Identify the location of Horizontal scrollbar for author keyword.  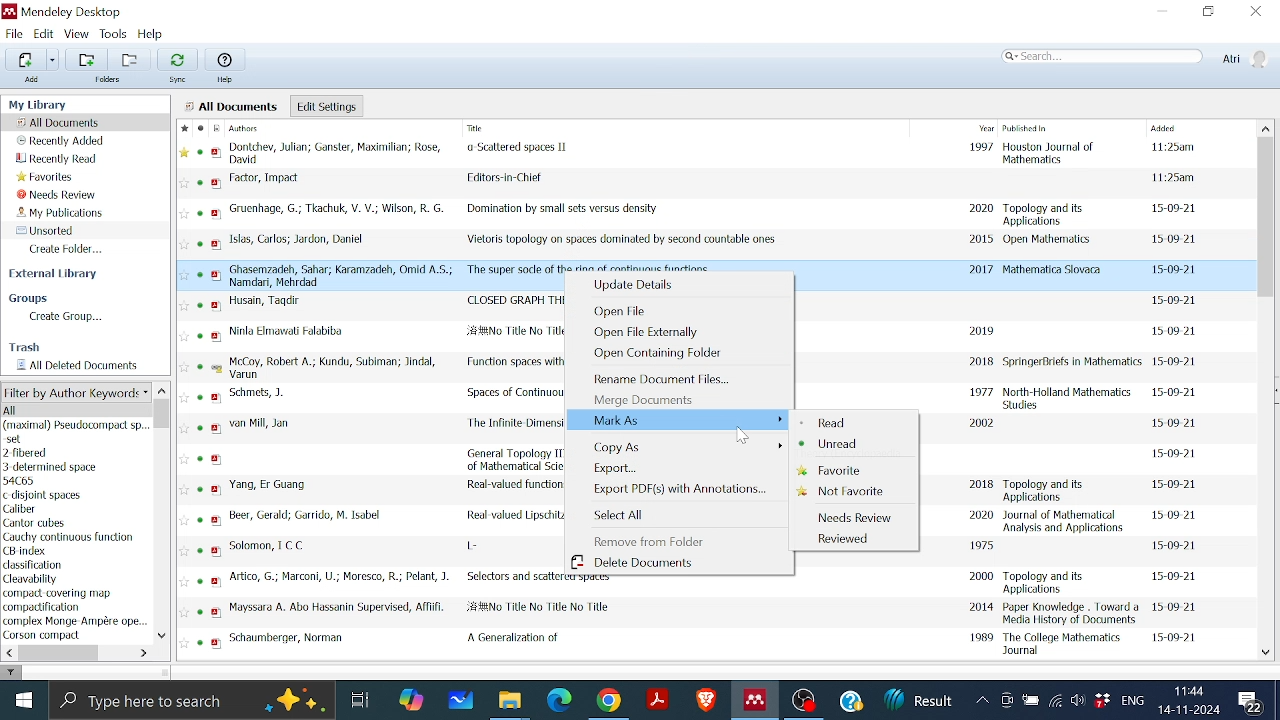
(59, 654).